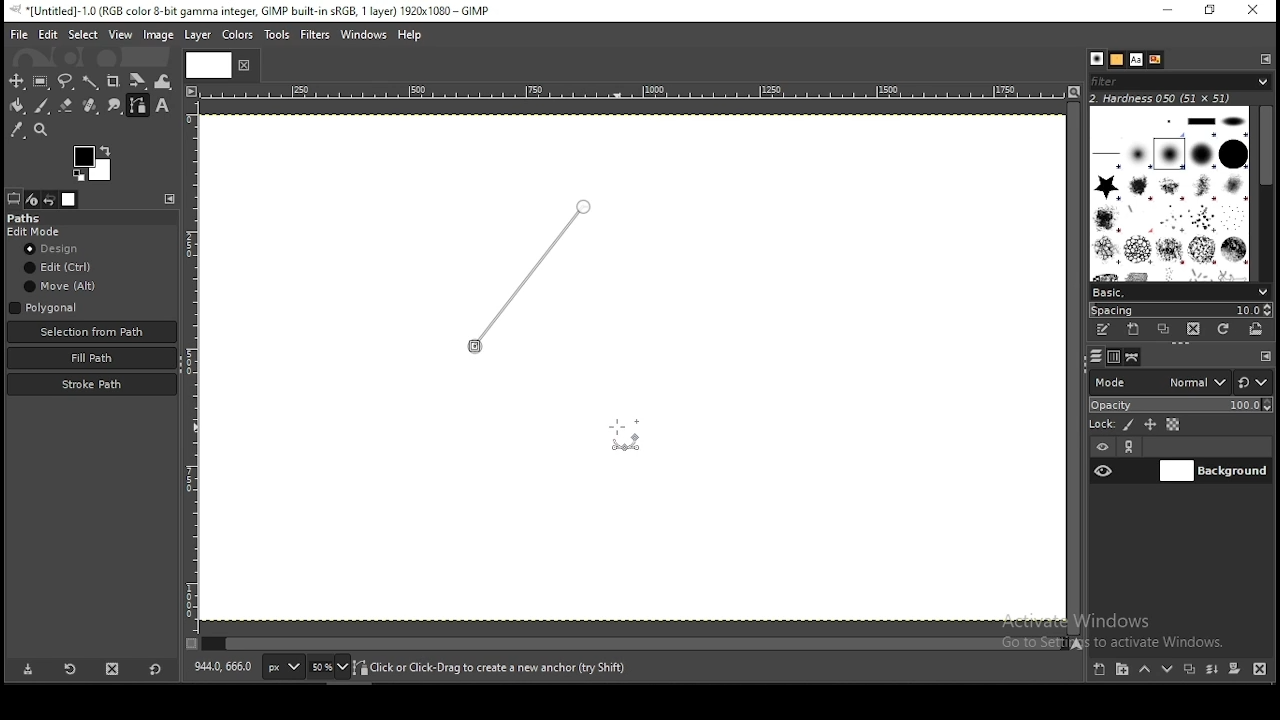 Image resolution: width=1280 pixels, height=720 pixels. Describe the element at coordinates (276, 35) in the screenshot. I see `tools` at that location.